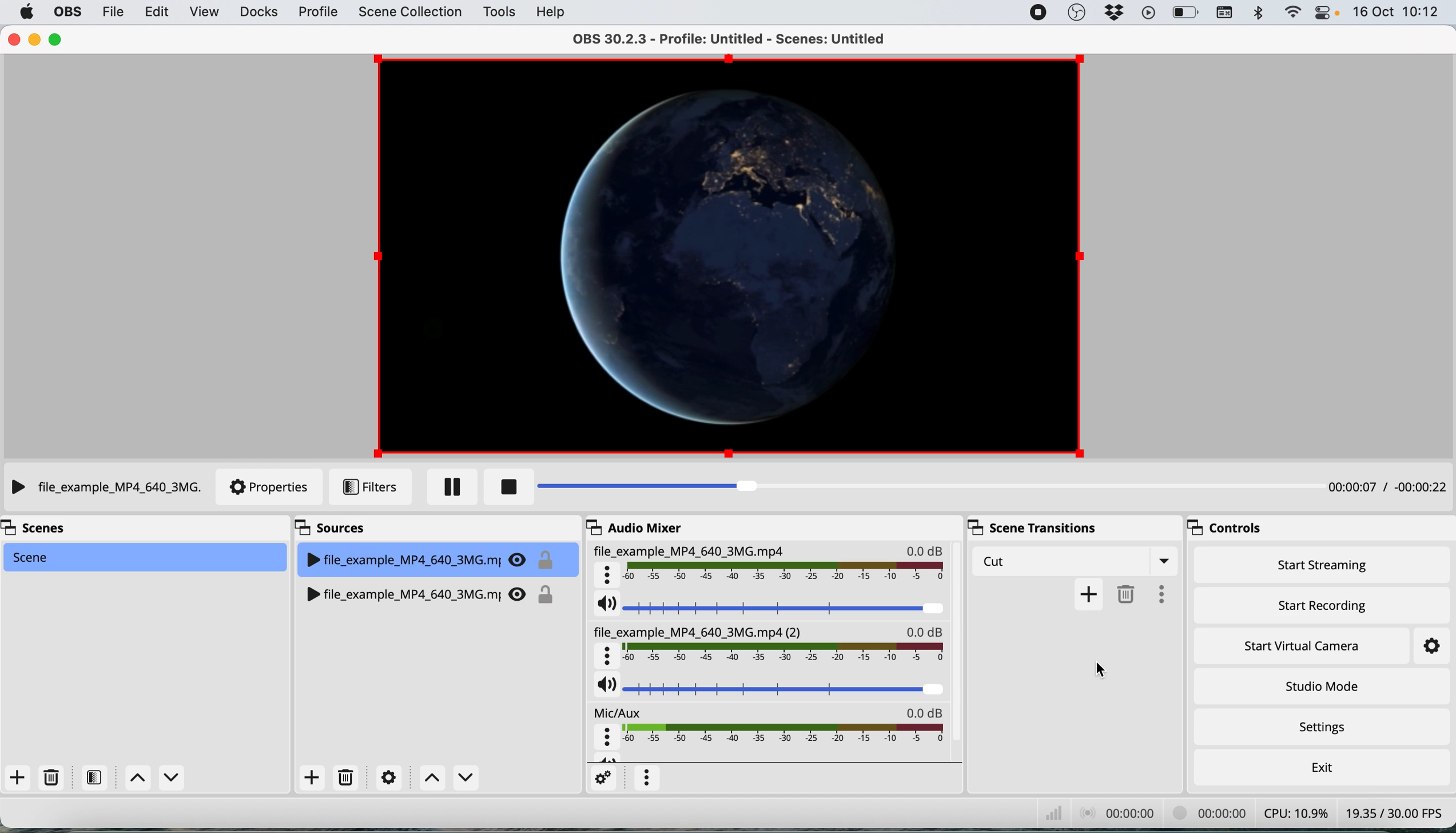 The width and height of the screenshot is (1456, 833). What do you see at coordinates (714, 38) in the screenshot?
I see `OBS 30.2.3 - Profile: Untitled - Scenes: Untitled` at bounding box center [714, 38].